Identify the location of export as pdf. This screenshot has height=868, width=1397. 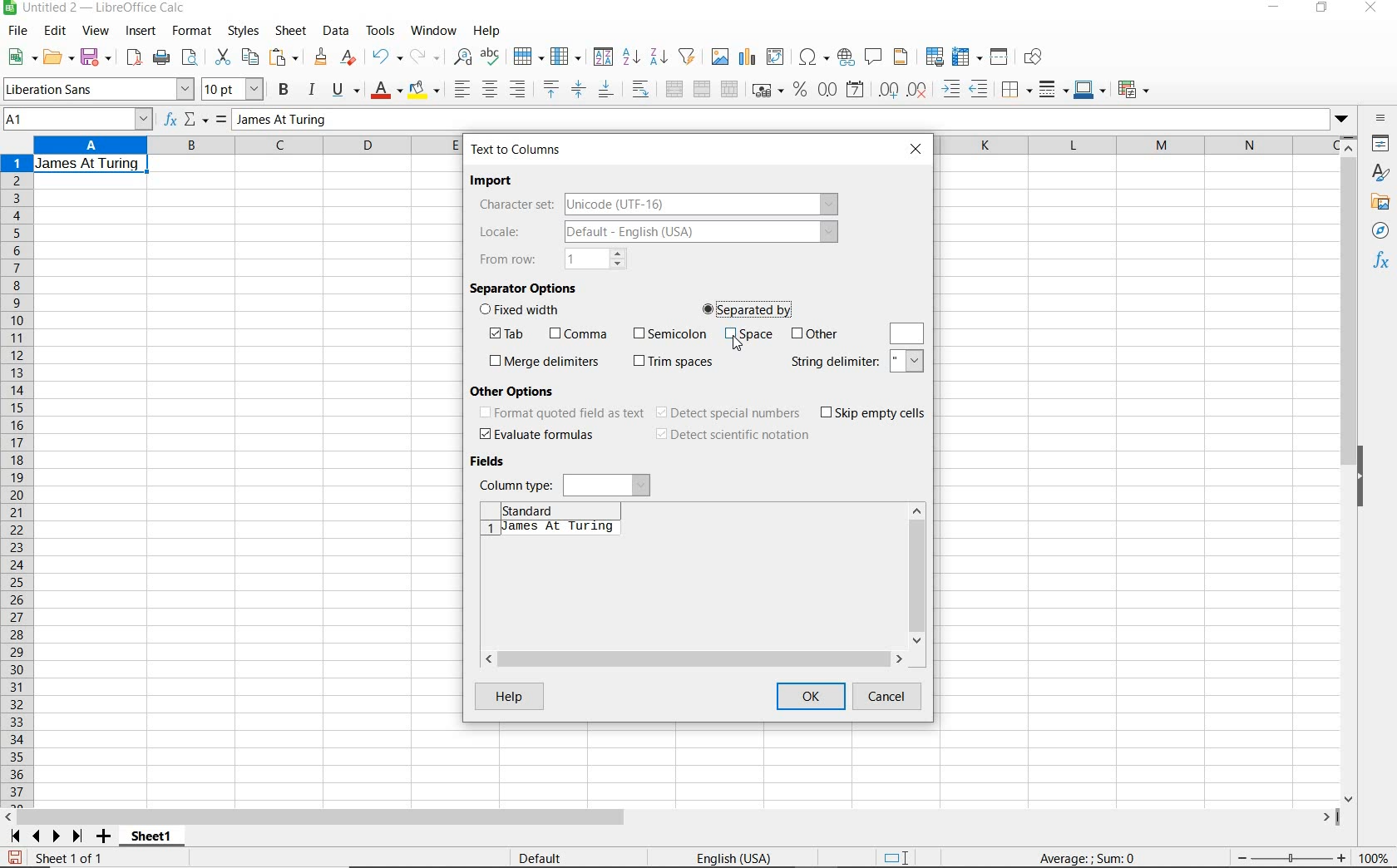
(132, 57).